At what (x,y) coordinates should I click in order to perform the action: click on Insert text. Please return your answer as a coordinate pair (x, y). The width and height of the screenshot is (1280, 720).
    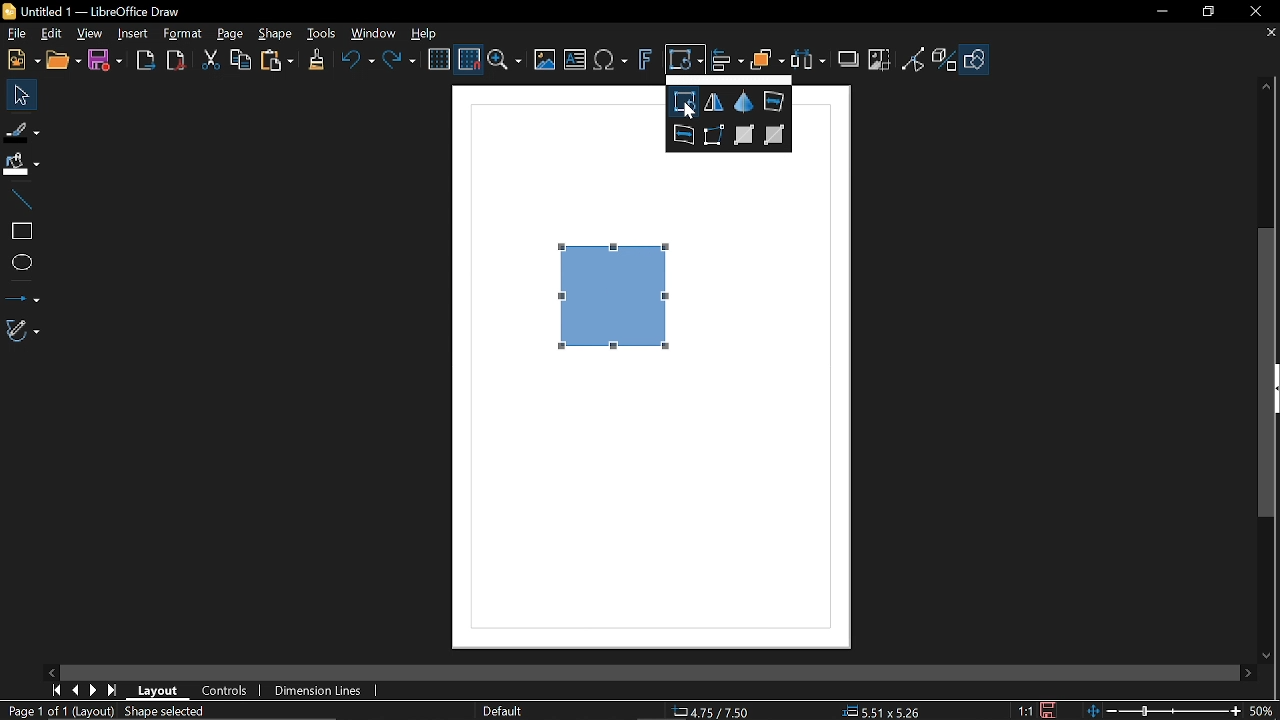
    Looking at the image, I should click on (574, 61).